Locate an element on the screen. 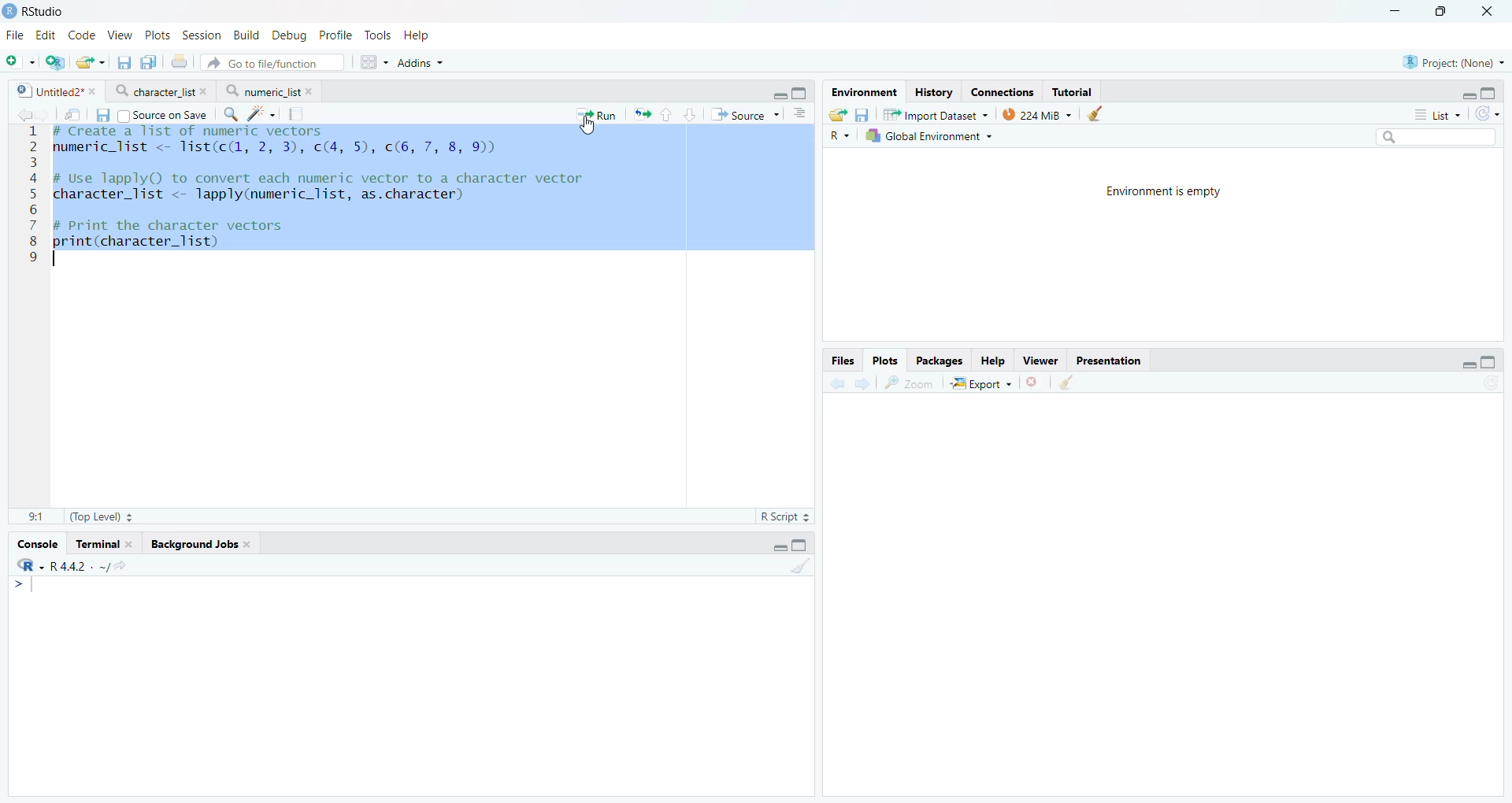  Presentation is located at coordinates (1108, 361).